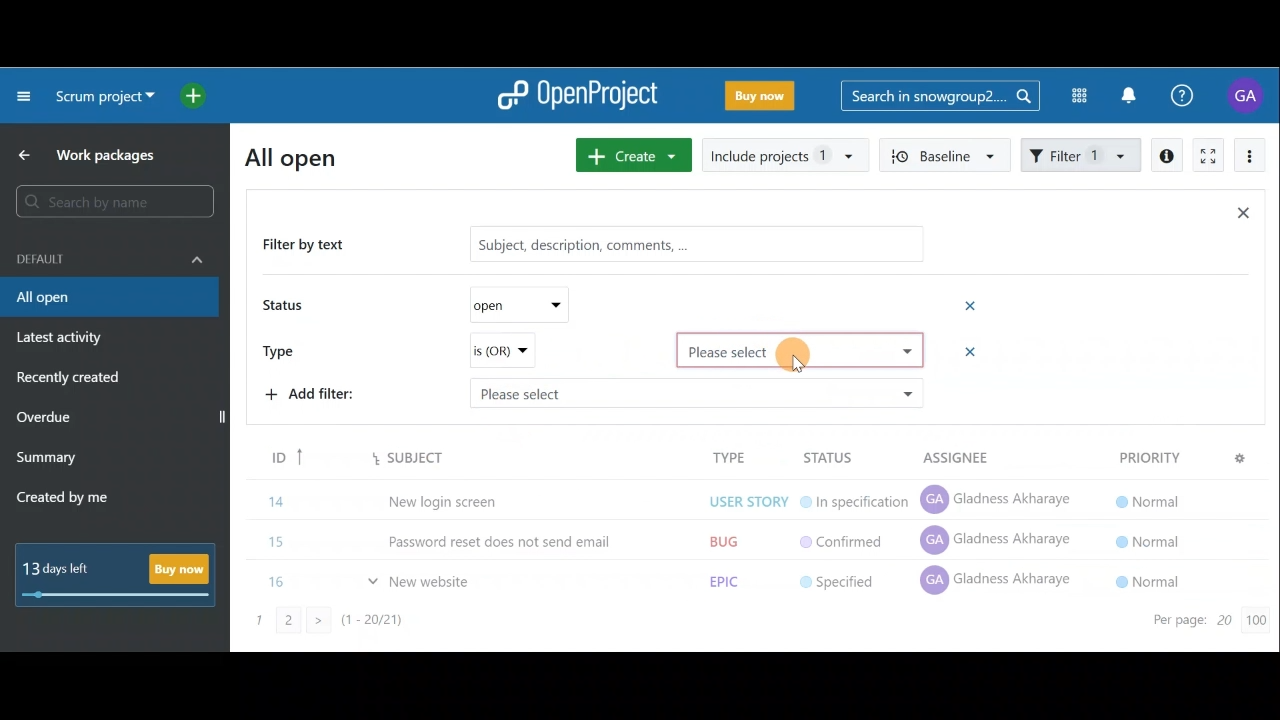 The height and width of the screenshot is (720, 1280). Describe the element at coordinates (303, 156) in the screenshot. I see `All open` at that location.